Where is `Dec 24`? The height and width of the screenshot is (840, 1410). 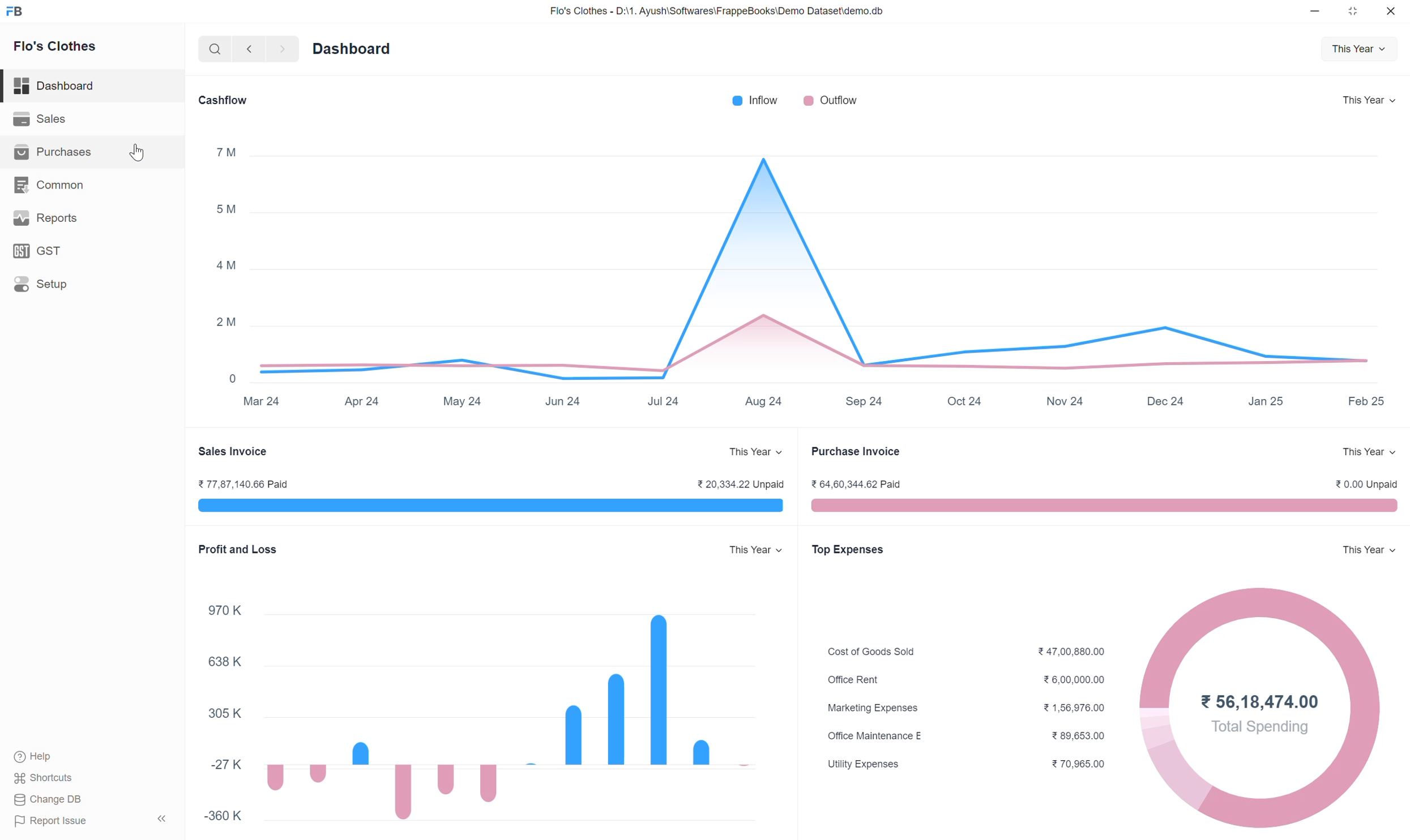 Dec 24 is located at coordinates (1165, 401).